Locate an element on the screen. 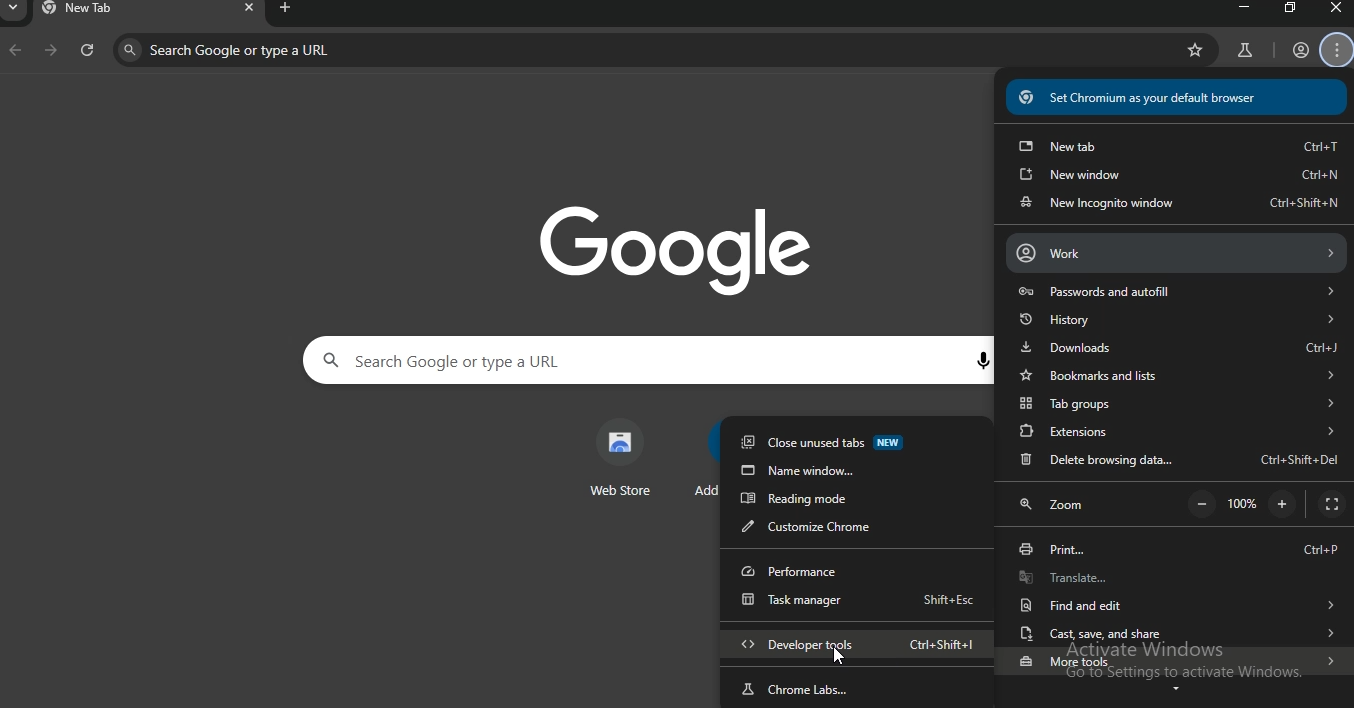 The image size is (1354, 708). tab groups is located at coordinates (1176, 403).